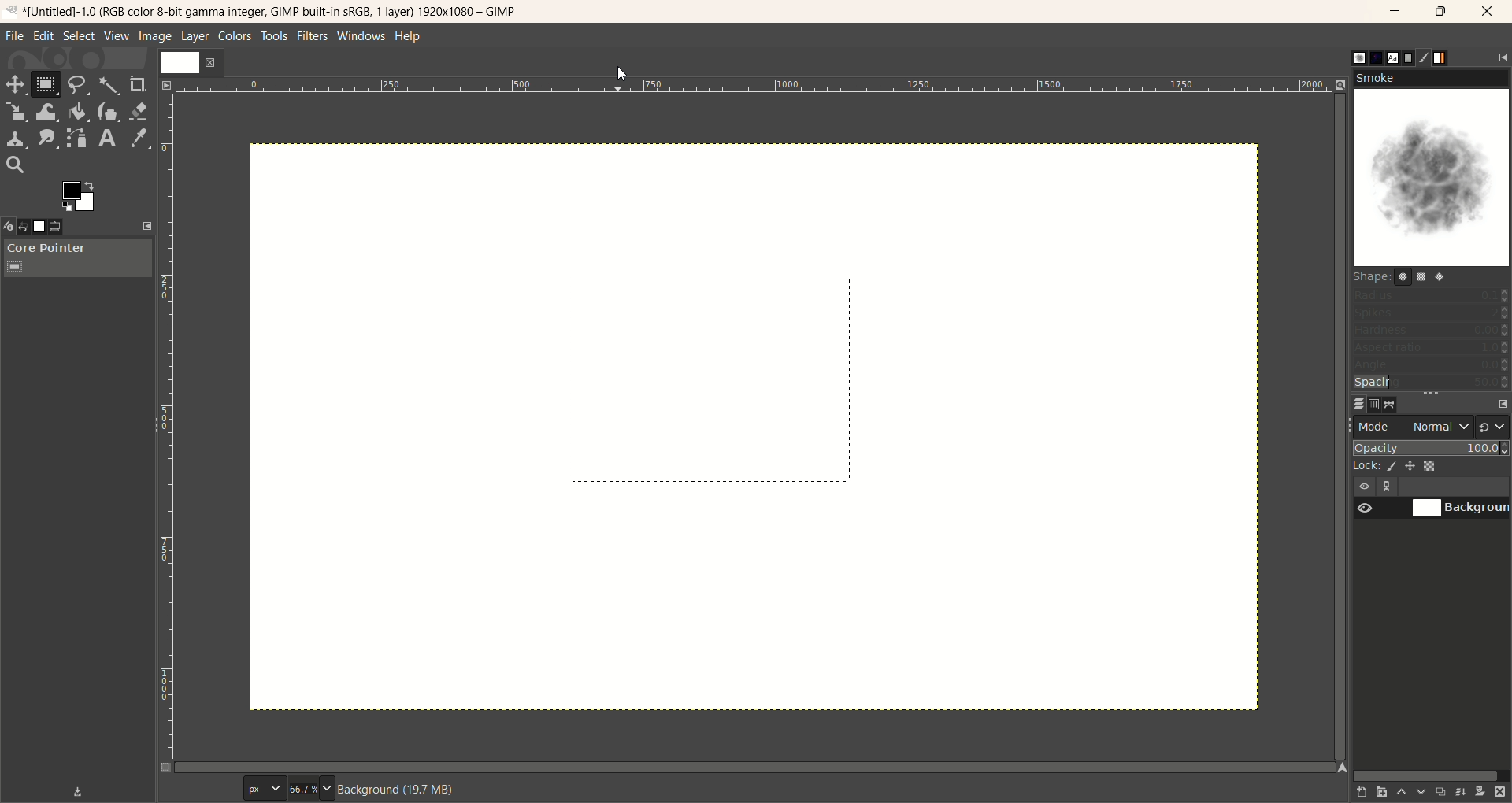 The height and width of the screenshot is (803, 1512). What do you see at coordinates (139, 139) in the screenshot?
I see `color picker tool` at bounding box center [139, 139].